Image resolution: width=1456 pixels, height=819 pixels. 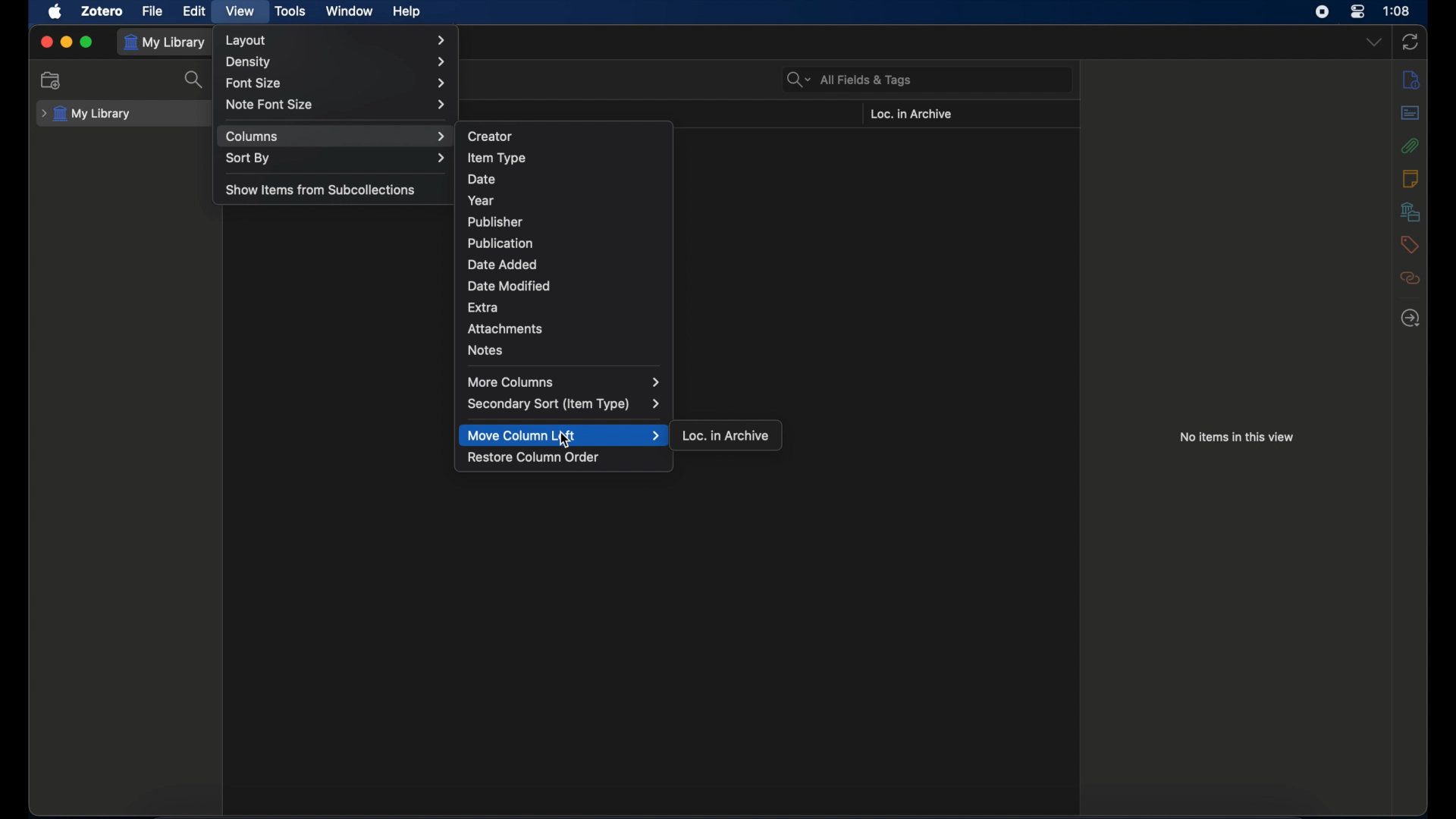 I want to click on density, so click(x=336, y=62).